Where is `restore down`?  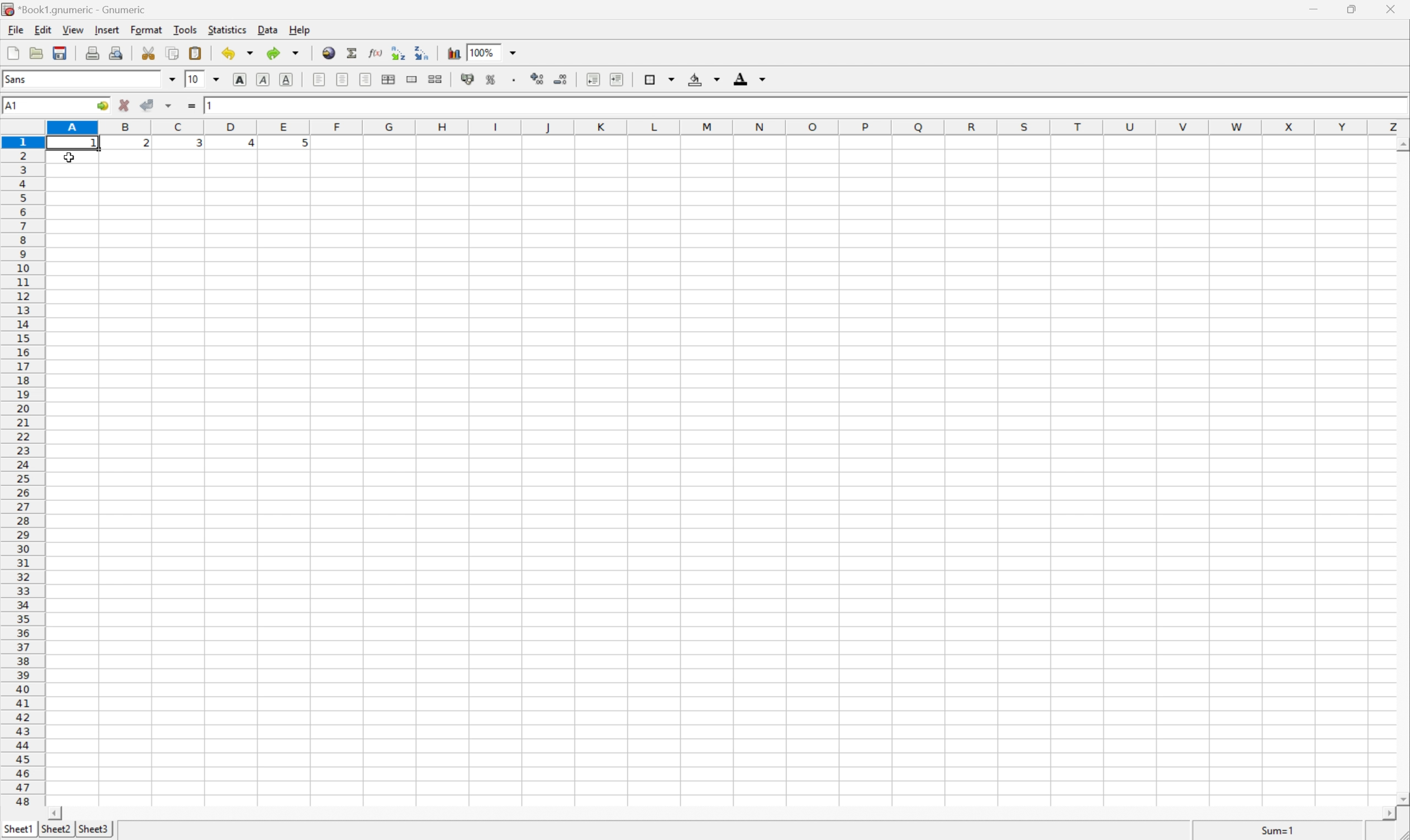
restore down is located at coordinates (1355, 8).